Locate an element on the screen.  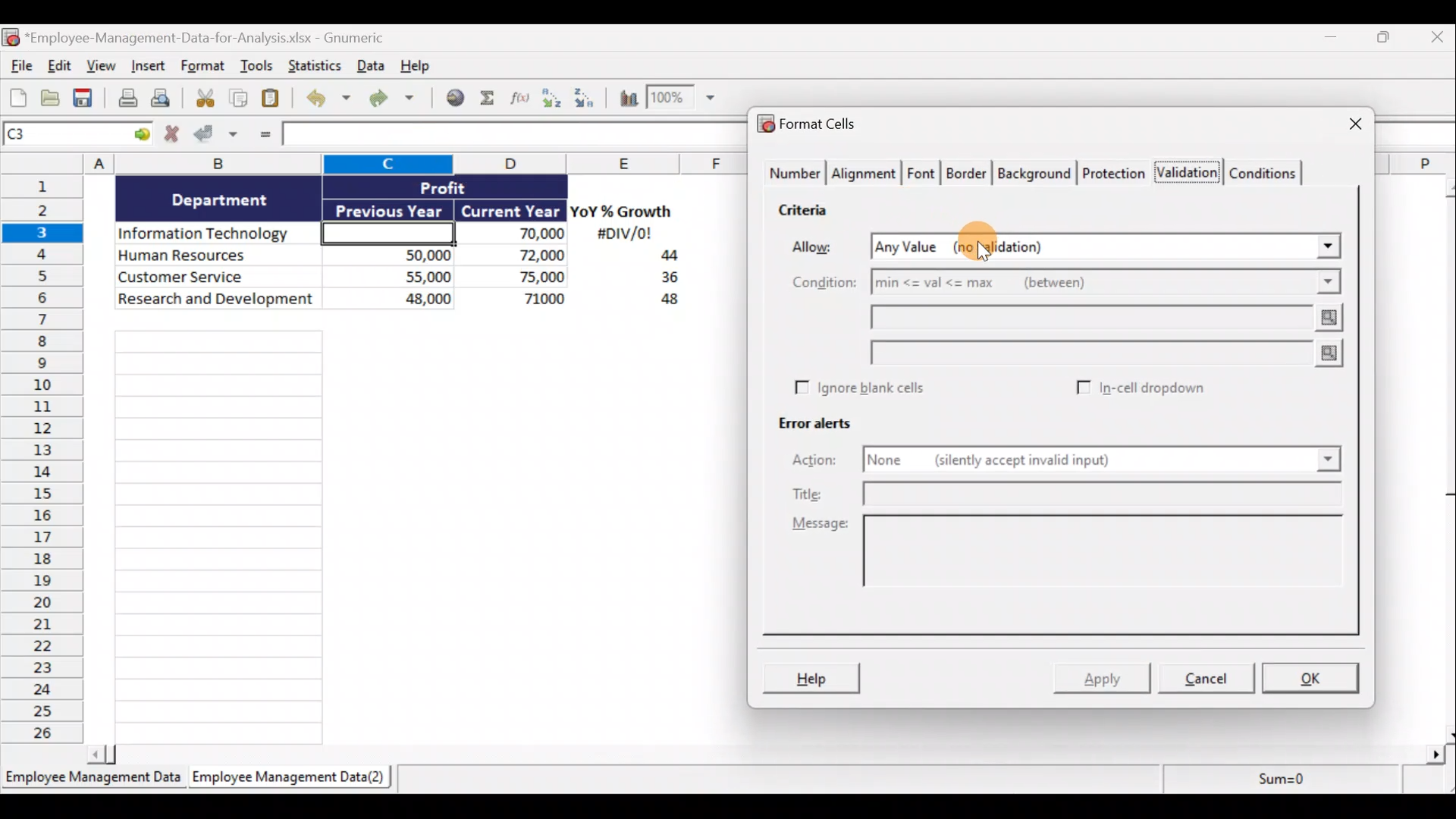
55,000 is located at coordinates (397, 276).